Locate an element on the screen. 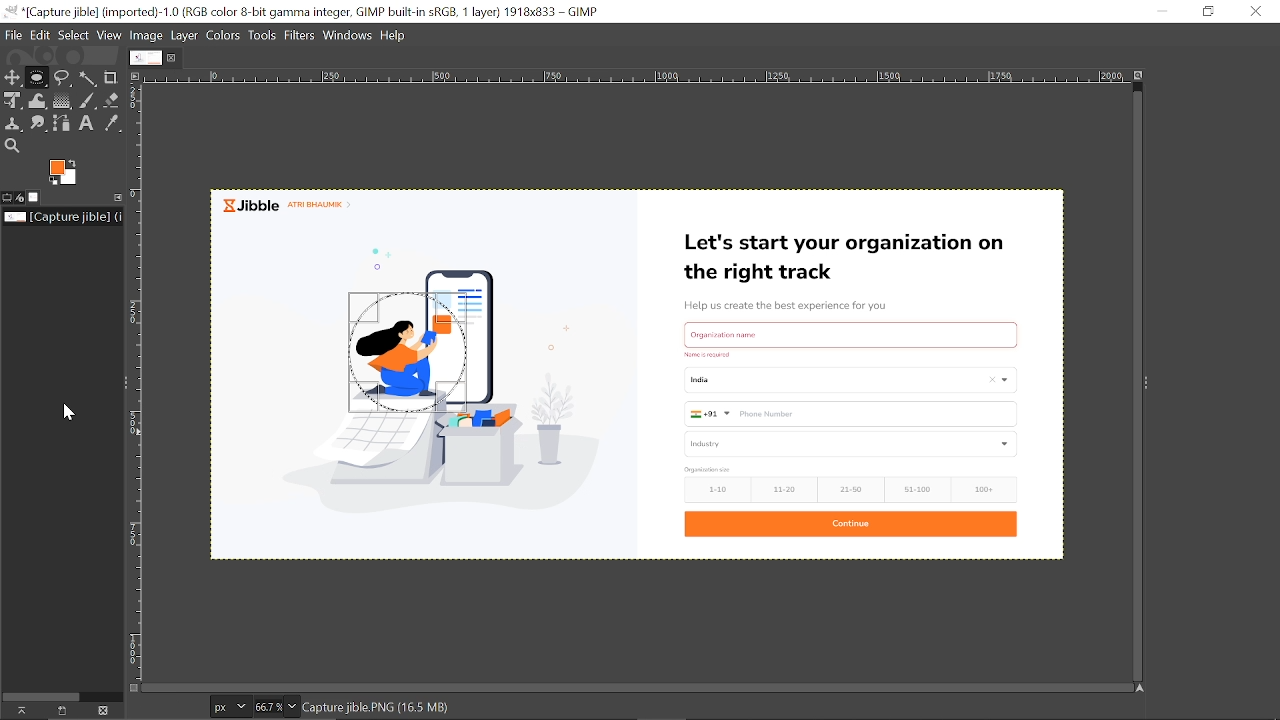  Edit is located at coordinates (41, 35).